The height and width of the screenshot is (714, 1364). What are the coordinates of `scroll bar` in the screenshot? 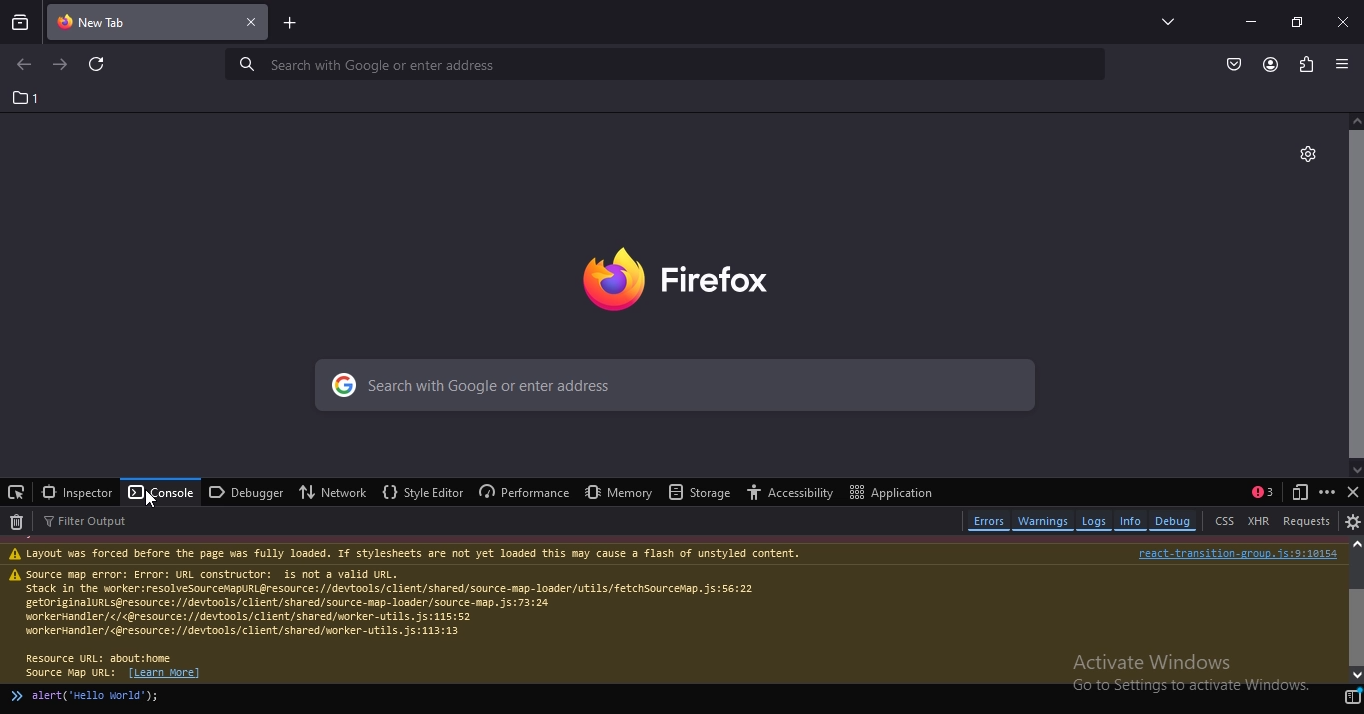 It's located at (1355, 297).